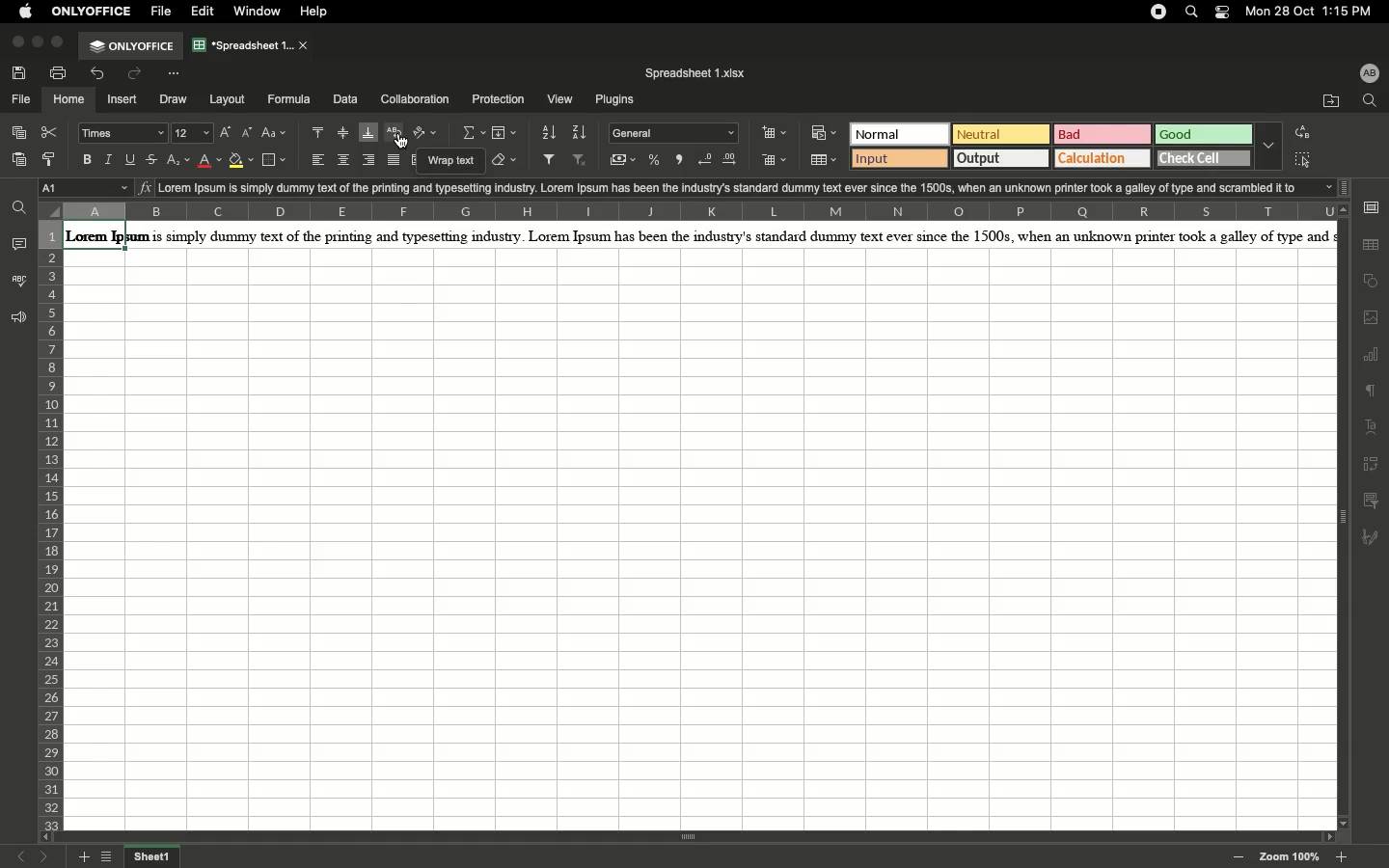 The image size is (1389, 868). Describe the element at coordinates (1373, 499) in the screenshot. I see `slicer` at that location.